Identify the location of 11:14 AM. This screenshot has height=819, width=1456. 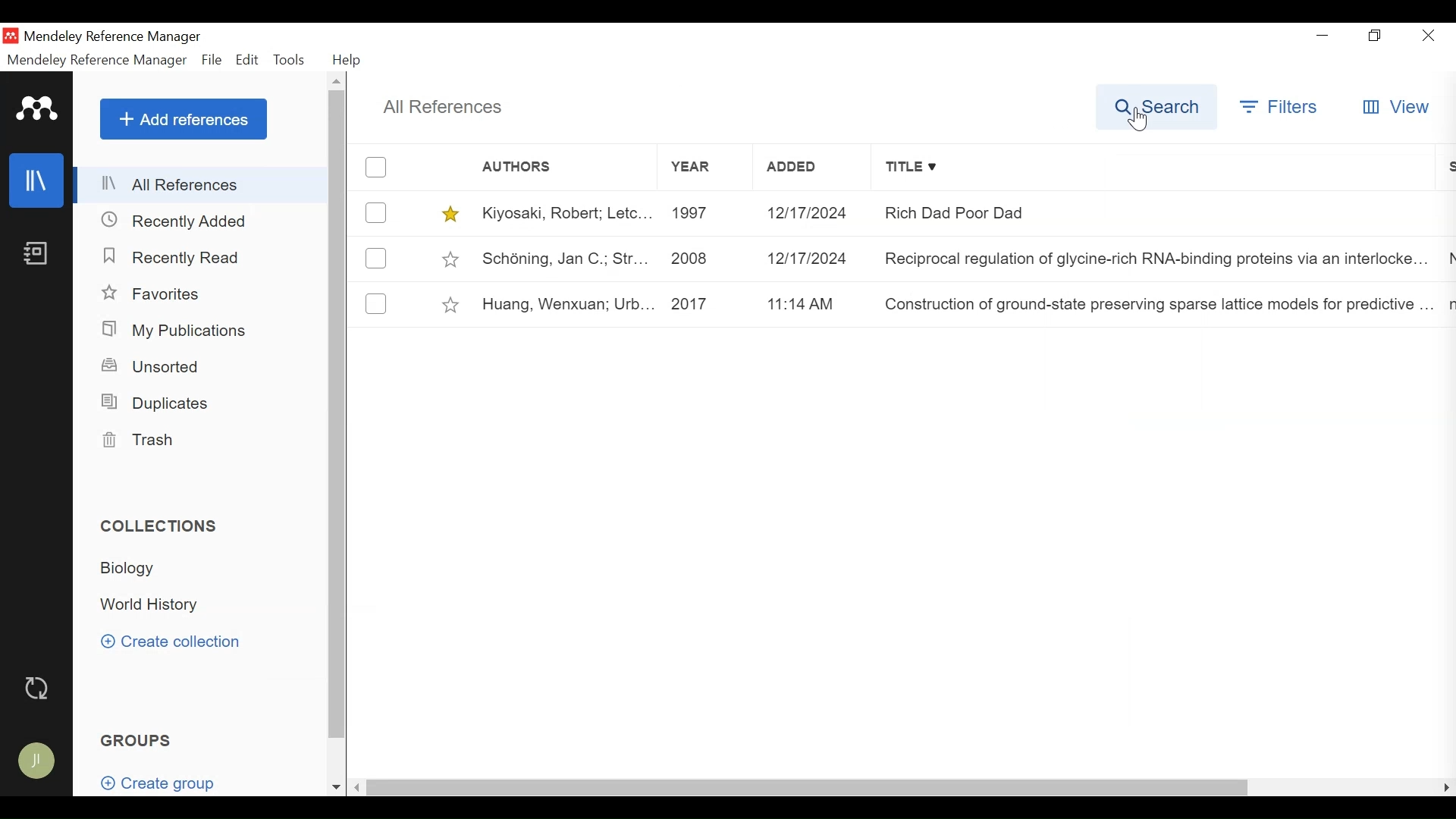
(812, 304).